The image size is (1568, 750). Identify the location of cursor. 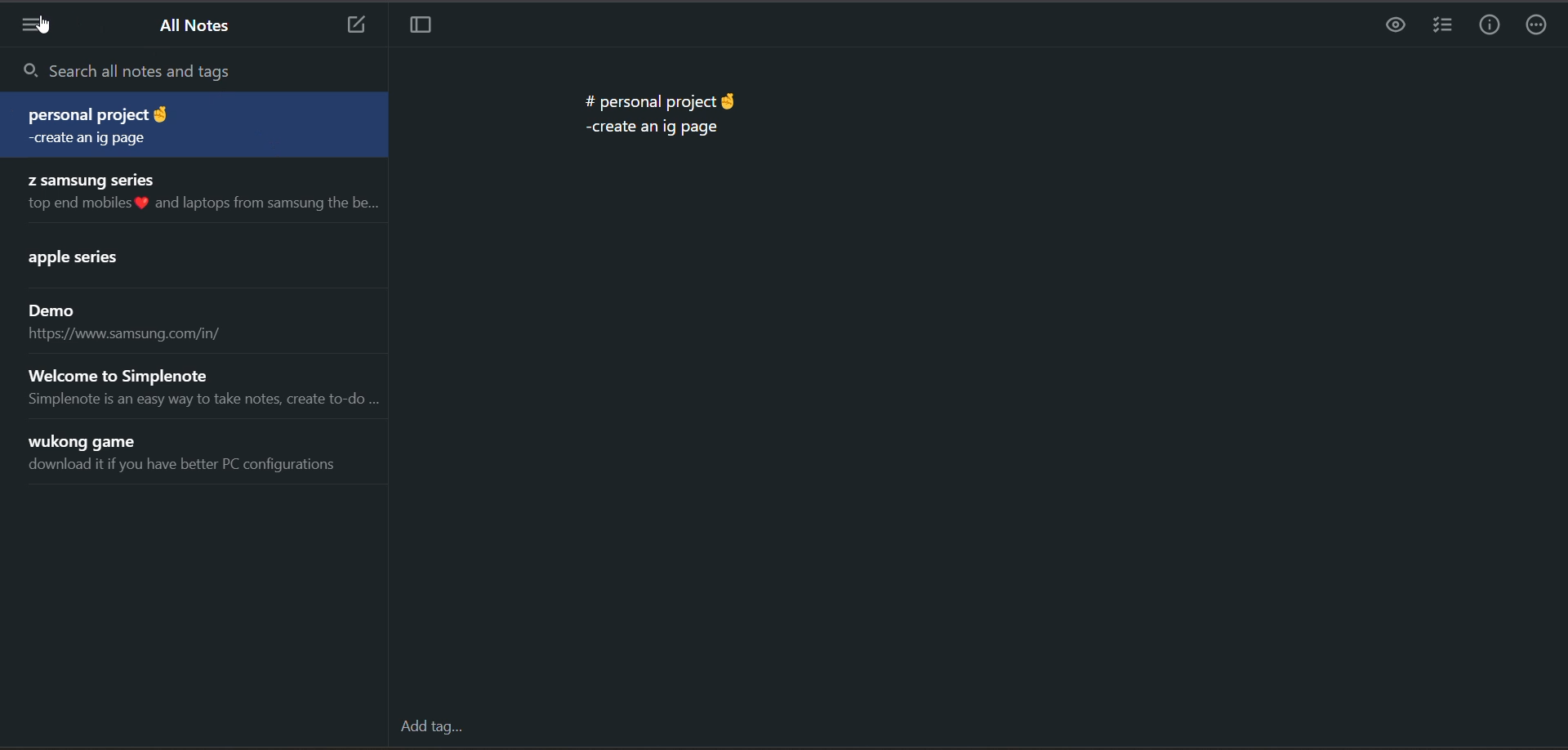
(42, 25).